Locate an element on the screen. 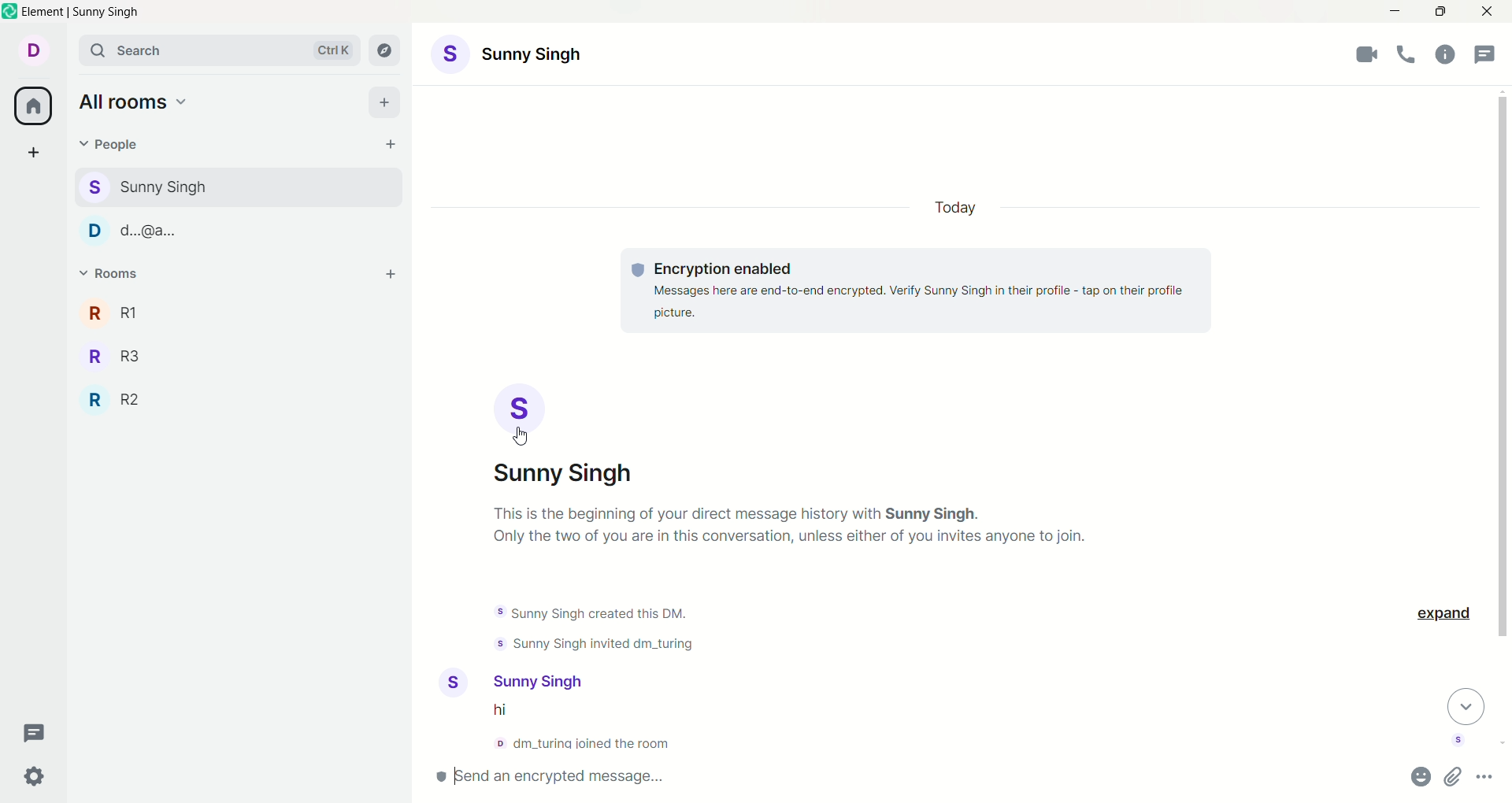  Info is located at coordinates (1445, 54).